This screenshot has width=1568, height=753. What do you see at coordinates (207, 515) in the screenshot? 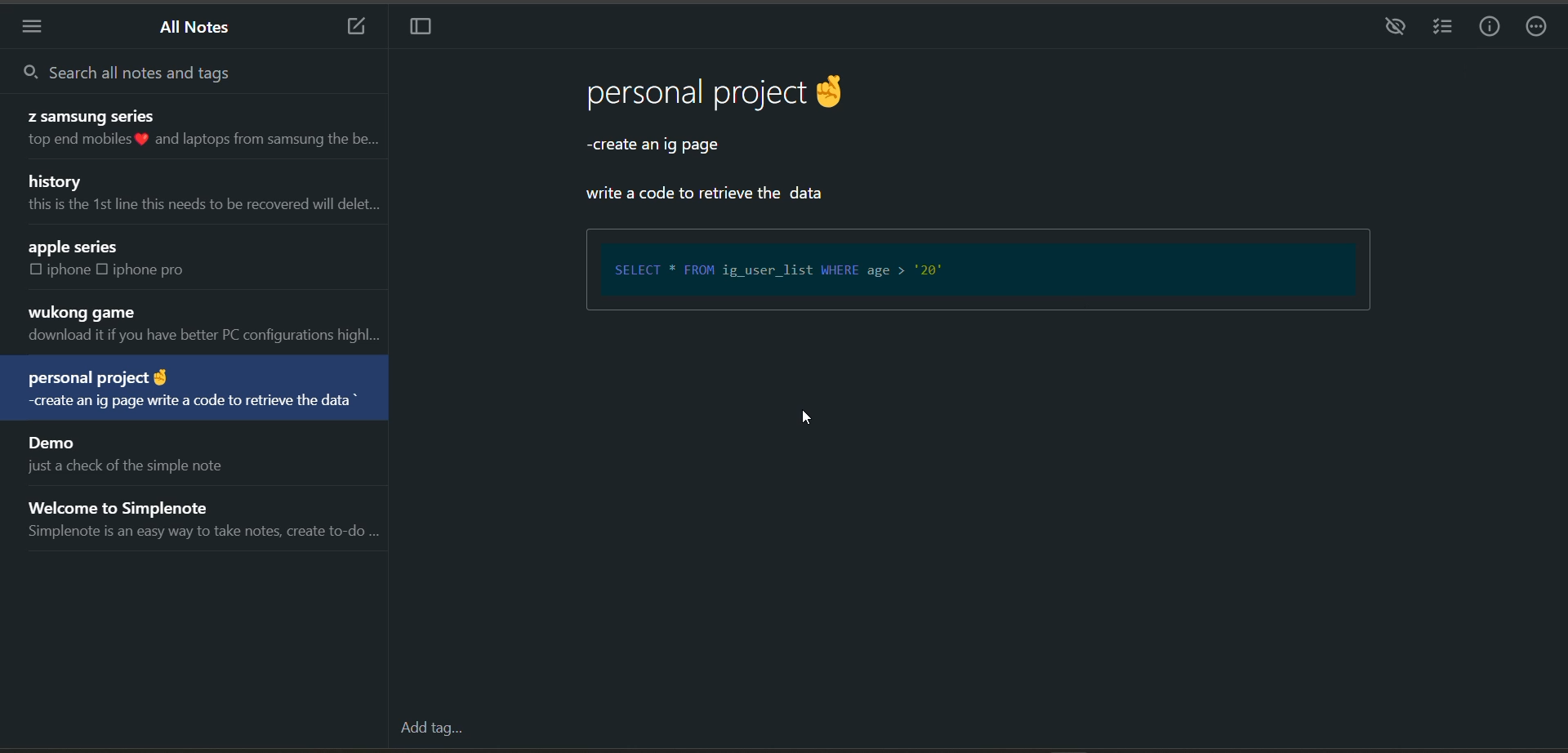
I see `note title  and preview` at bounding box center [207, 515].